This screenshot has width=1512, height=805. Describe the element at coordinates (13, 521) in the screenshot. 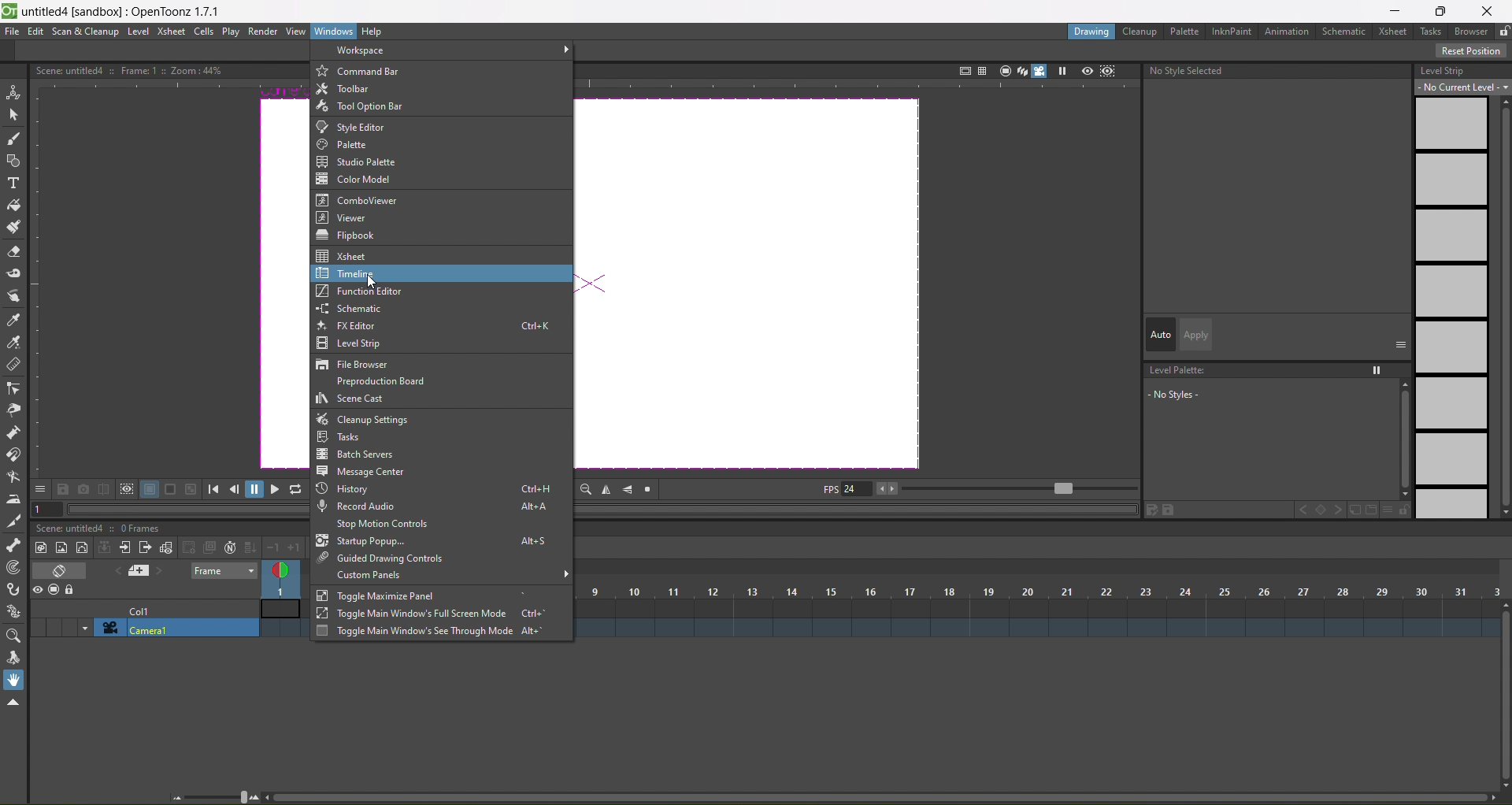

I see `cutter tool` at that location.